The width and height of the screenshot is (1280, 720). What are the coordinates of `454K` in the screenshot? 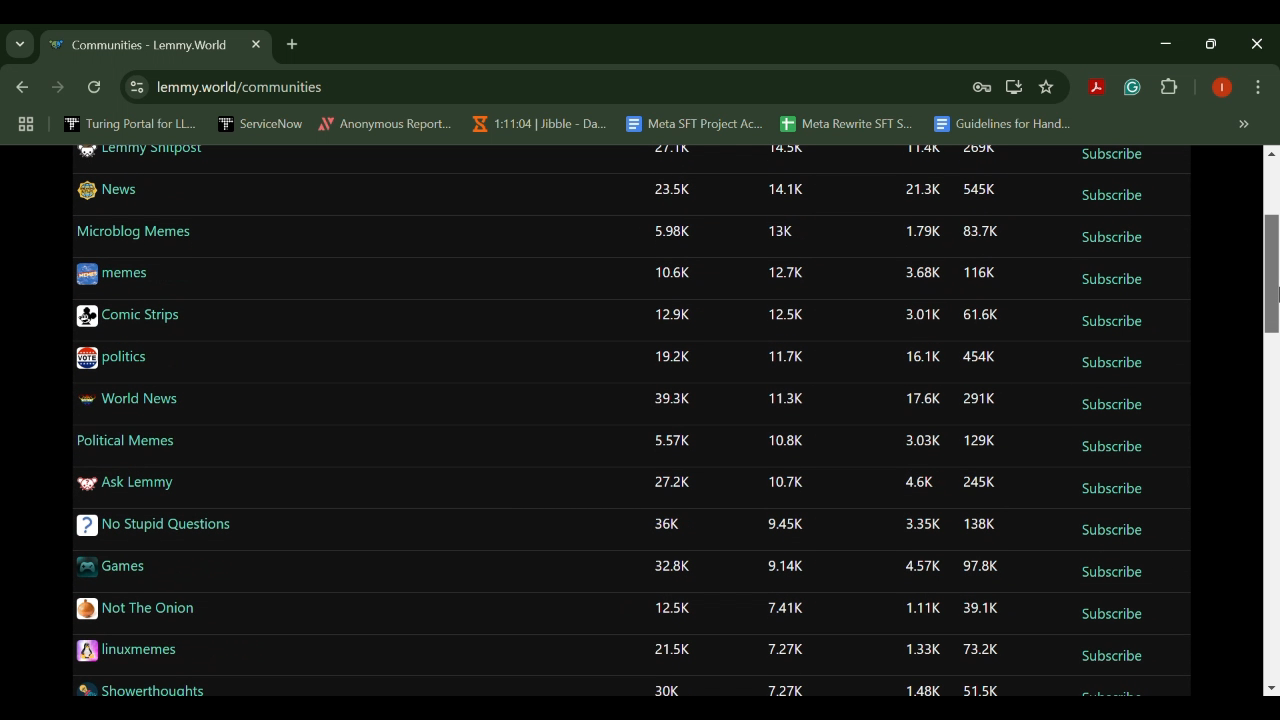 It's located at (980, 358).